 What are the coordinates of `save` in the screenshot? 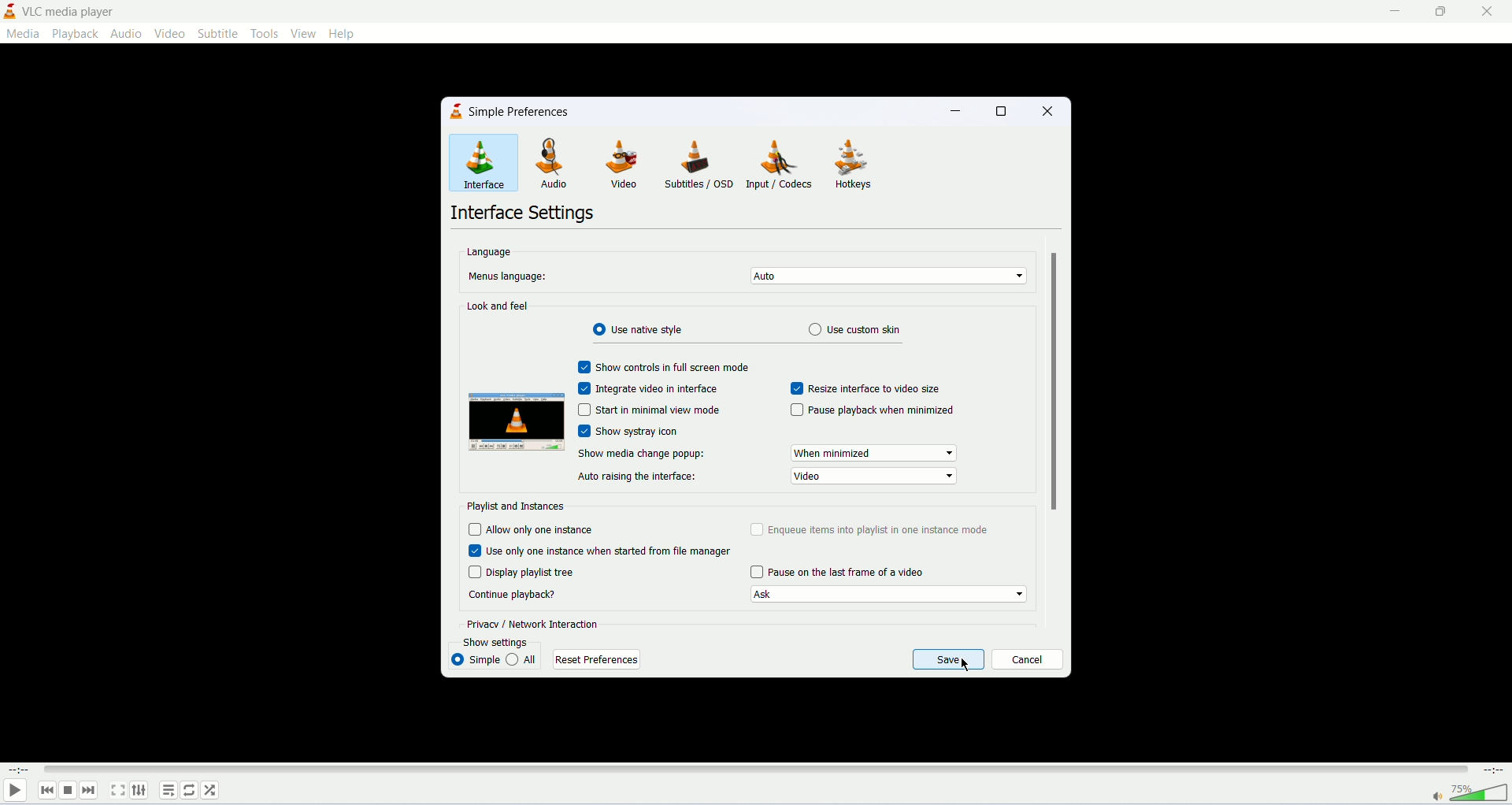 It's located at (951, 659).